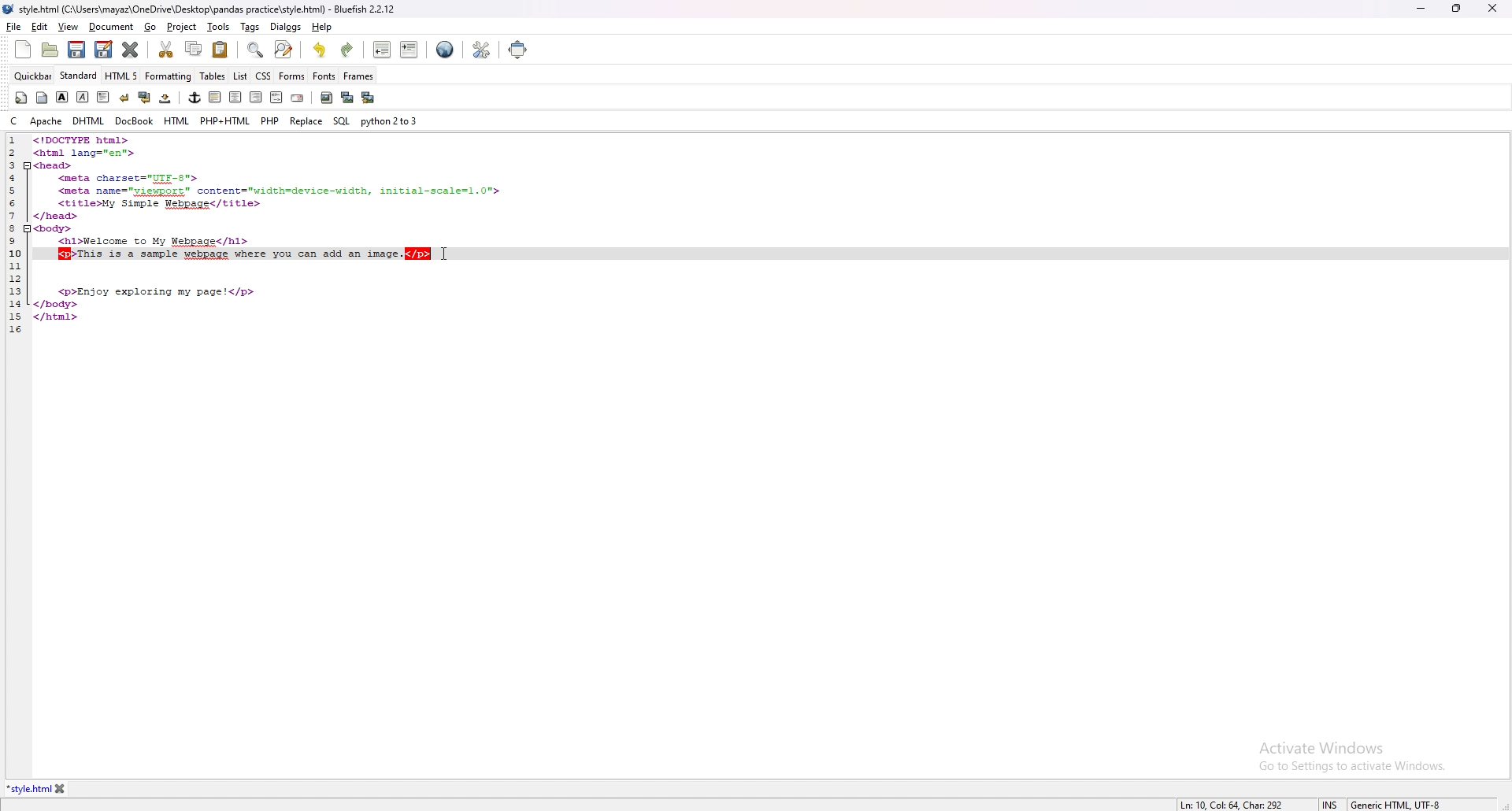 The image size is (1512, 811). Describe the element at coordinates (270, 120) in the screenshot. I see `php` at that location.